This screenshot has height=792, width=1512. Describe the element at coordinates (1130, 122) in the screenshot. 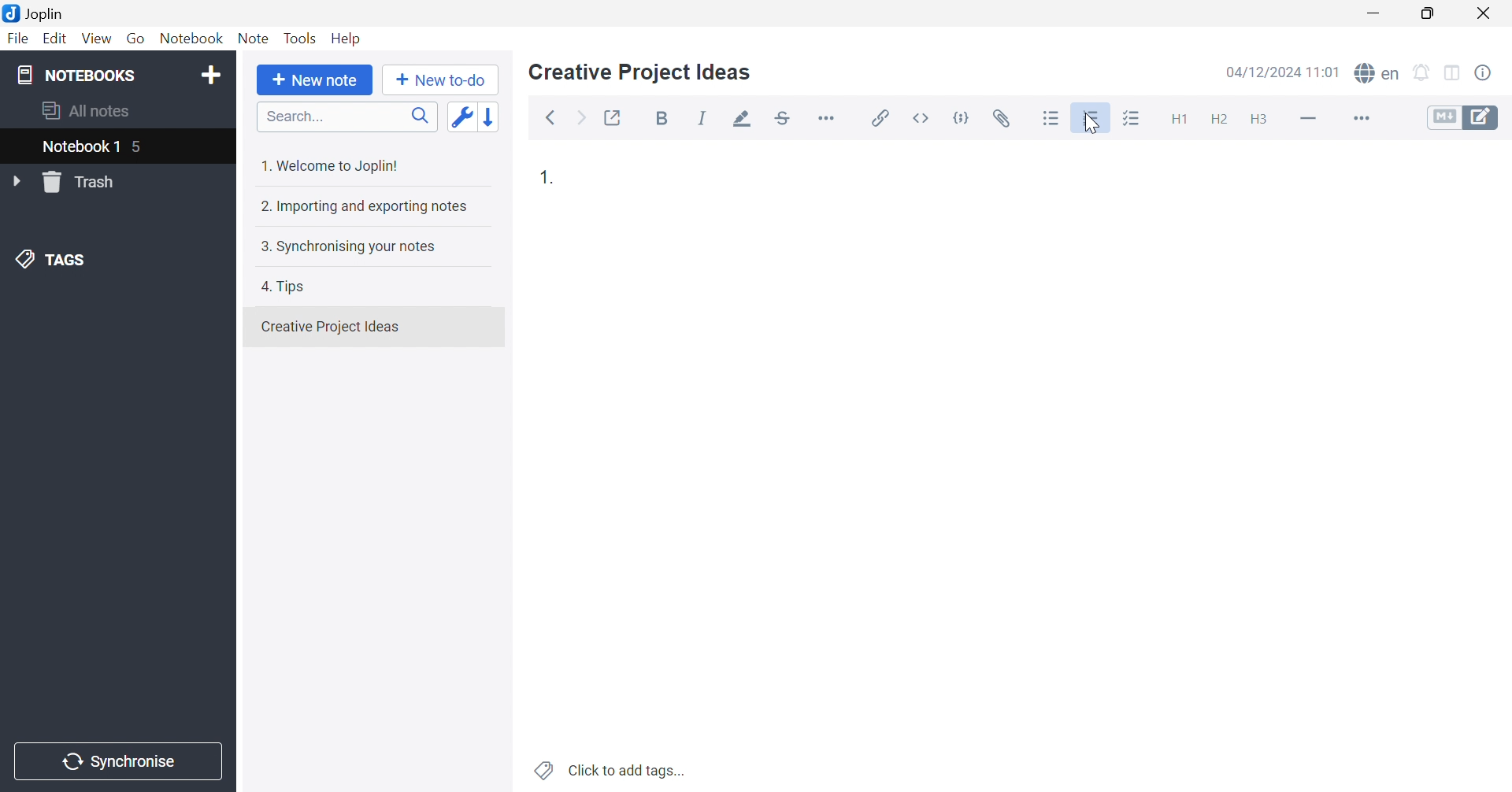

I see `Checkbox list` at that location.